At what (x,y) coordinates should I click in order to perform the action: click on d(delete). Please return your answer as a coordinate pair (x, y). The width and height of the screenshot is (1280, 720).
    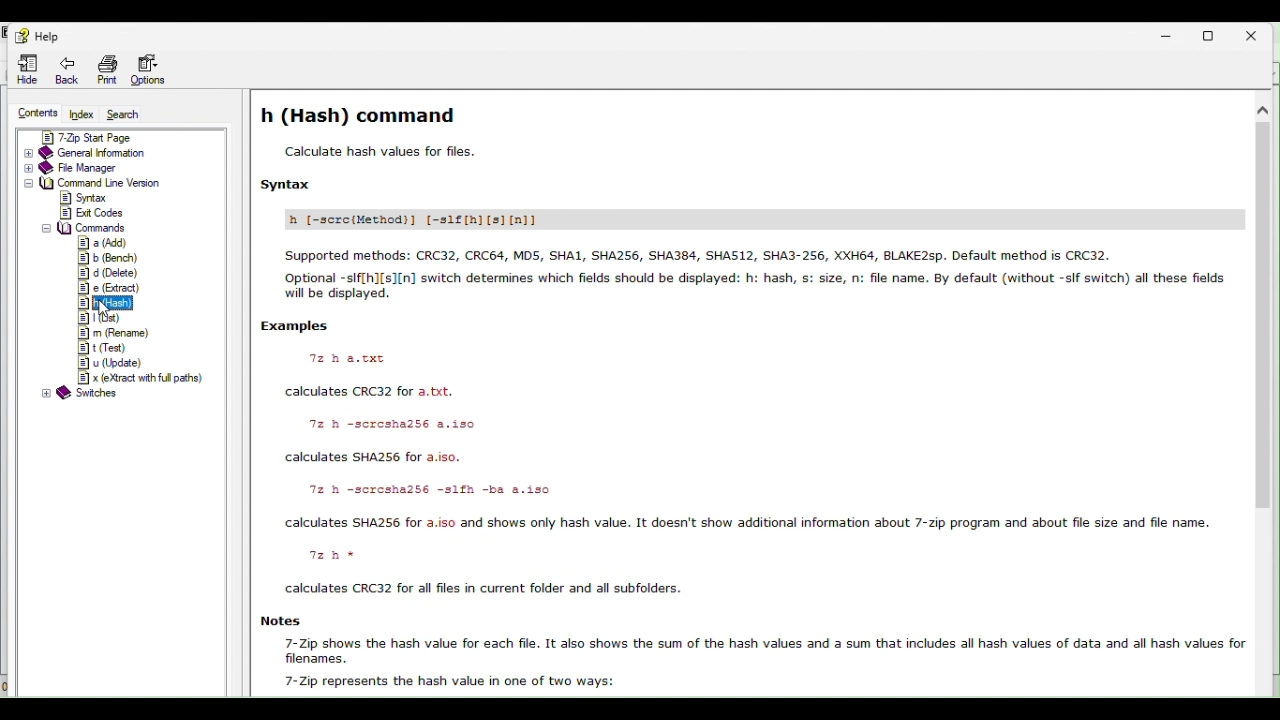
    Looking at the image, I should click on (106, 273).